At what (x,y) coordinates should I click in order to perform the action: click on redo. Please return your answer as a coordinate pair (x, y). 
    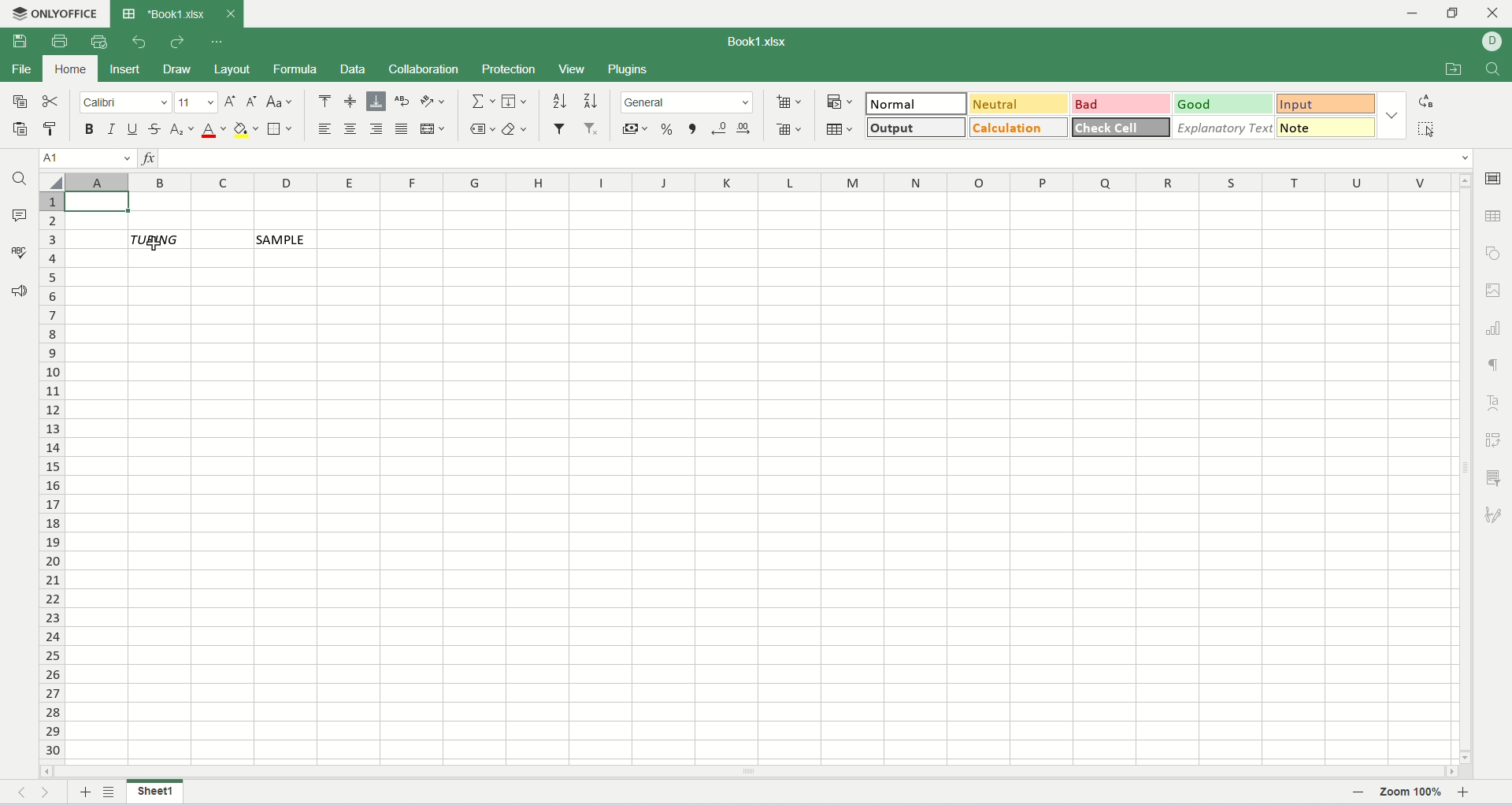
    Looking at the image, I should click on (176, 43).